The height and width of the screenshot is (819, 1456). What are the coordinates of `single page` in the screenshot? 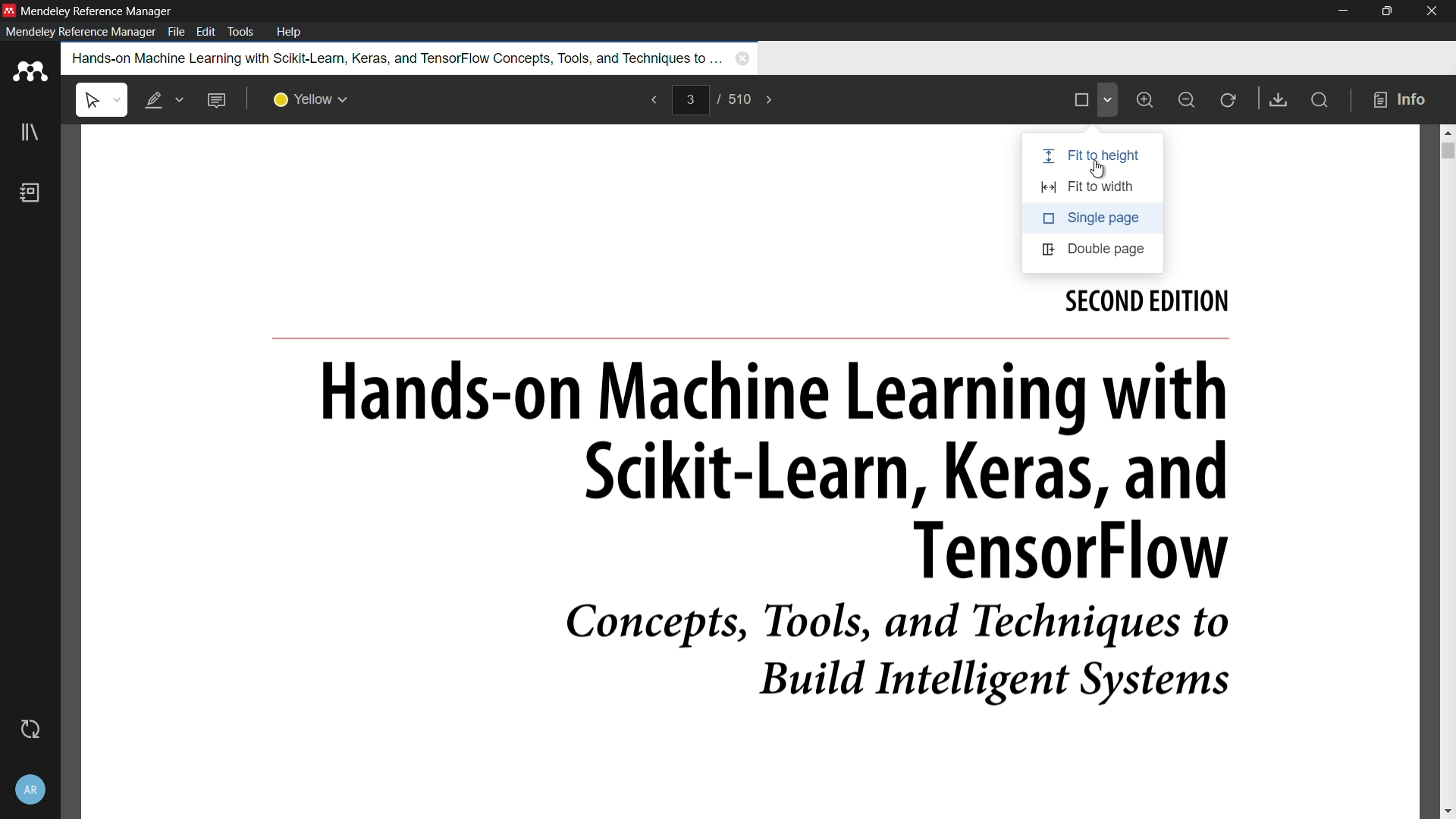 It's located at (1093, 218).